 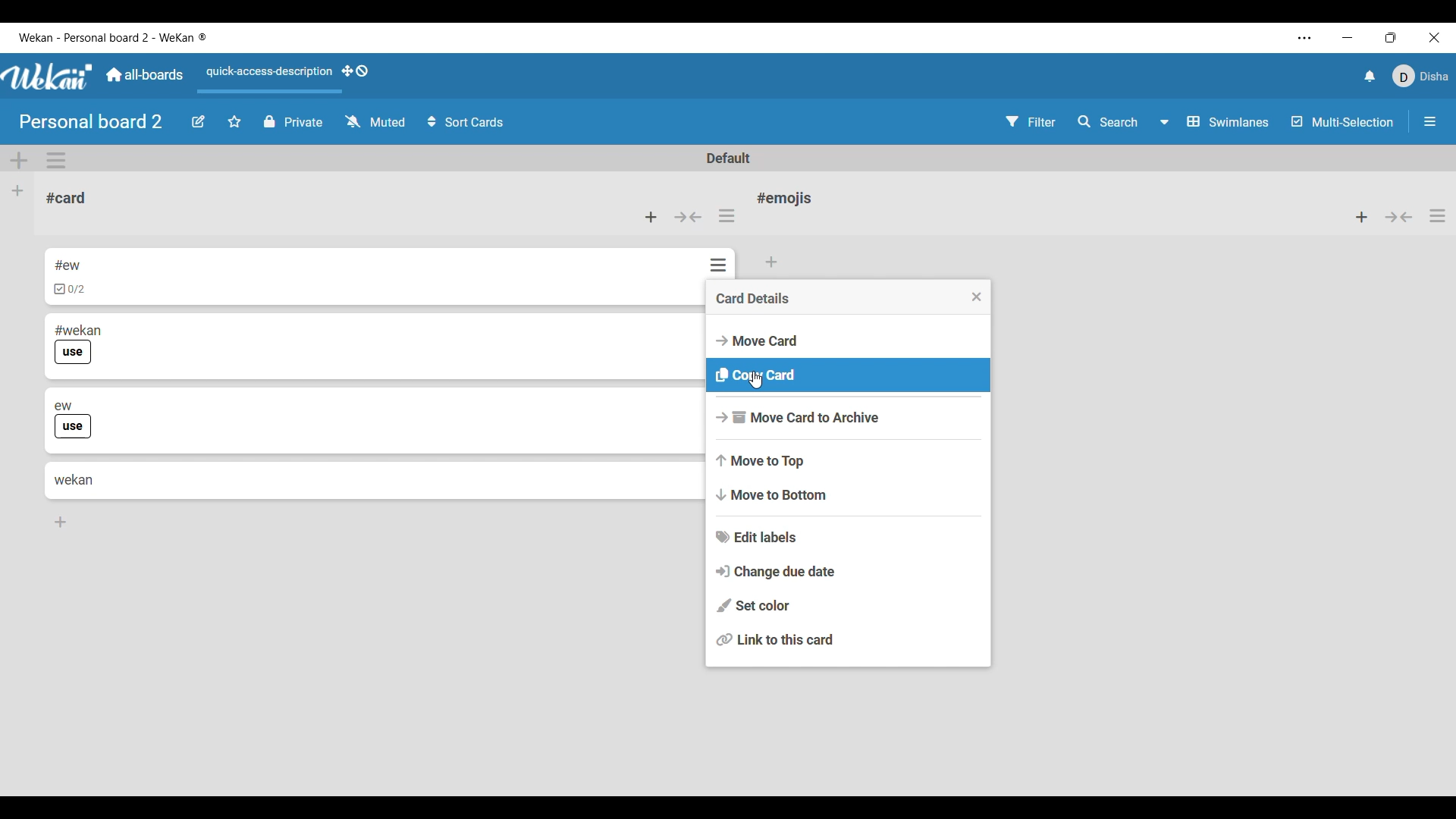 I want to click on List actions, so click(x=1438, y=215).